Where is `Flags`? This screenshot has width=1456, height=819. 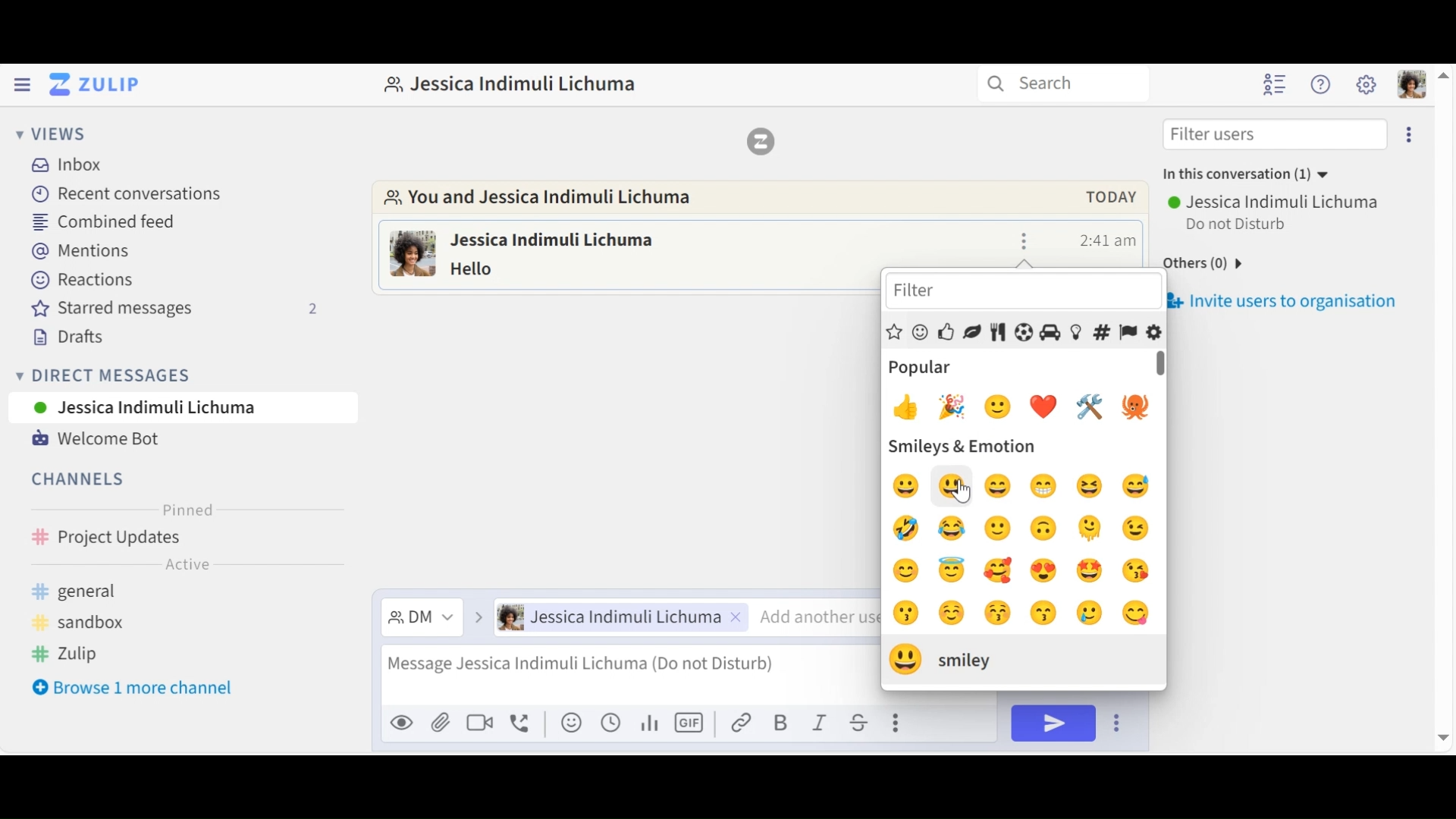
Flags is located at coordinates (1128, 332).